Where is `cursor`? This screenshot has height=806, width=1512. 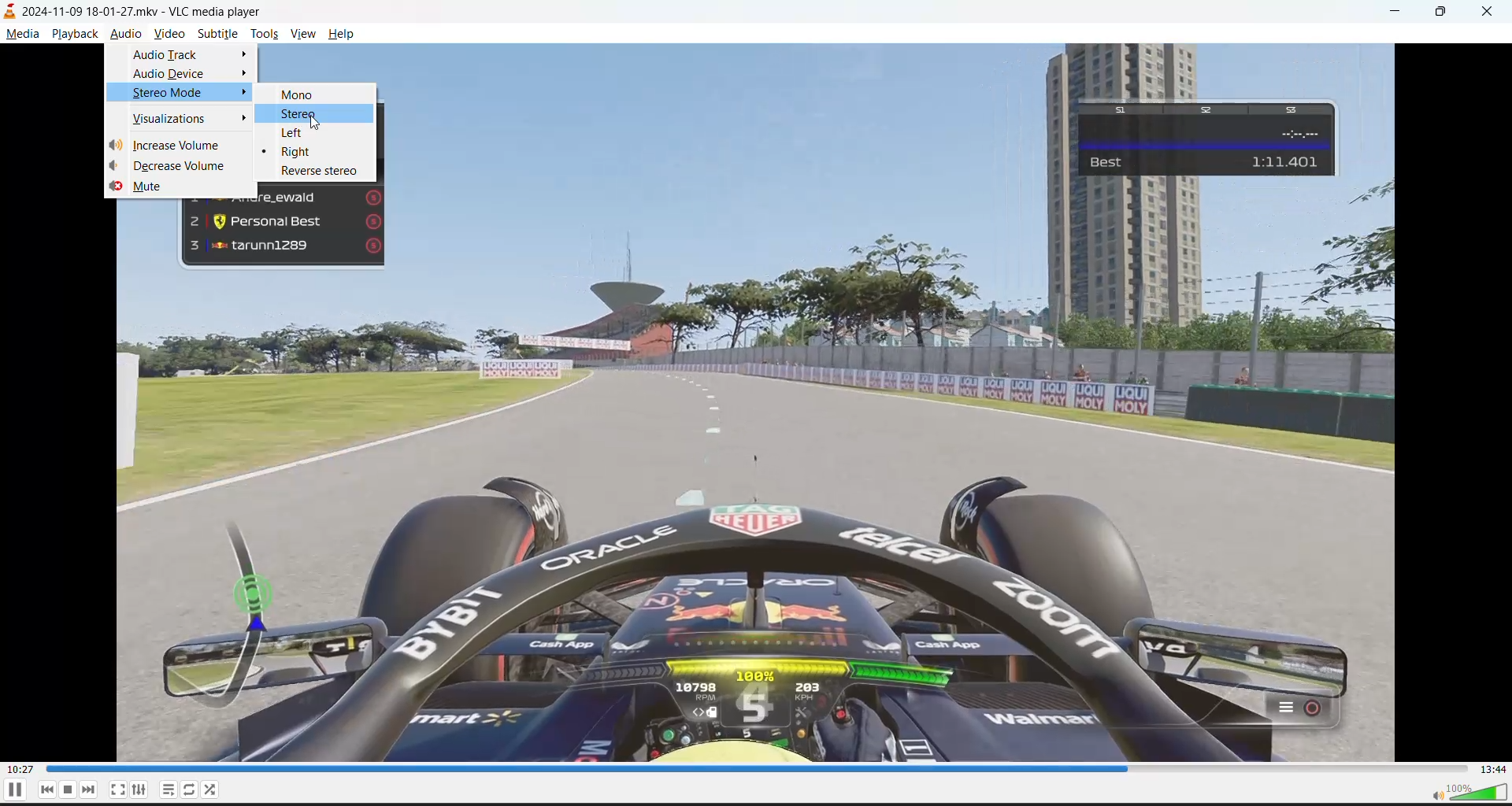
cursor is located at coordinates (314, 126).